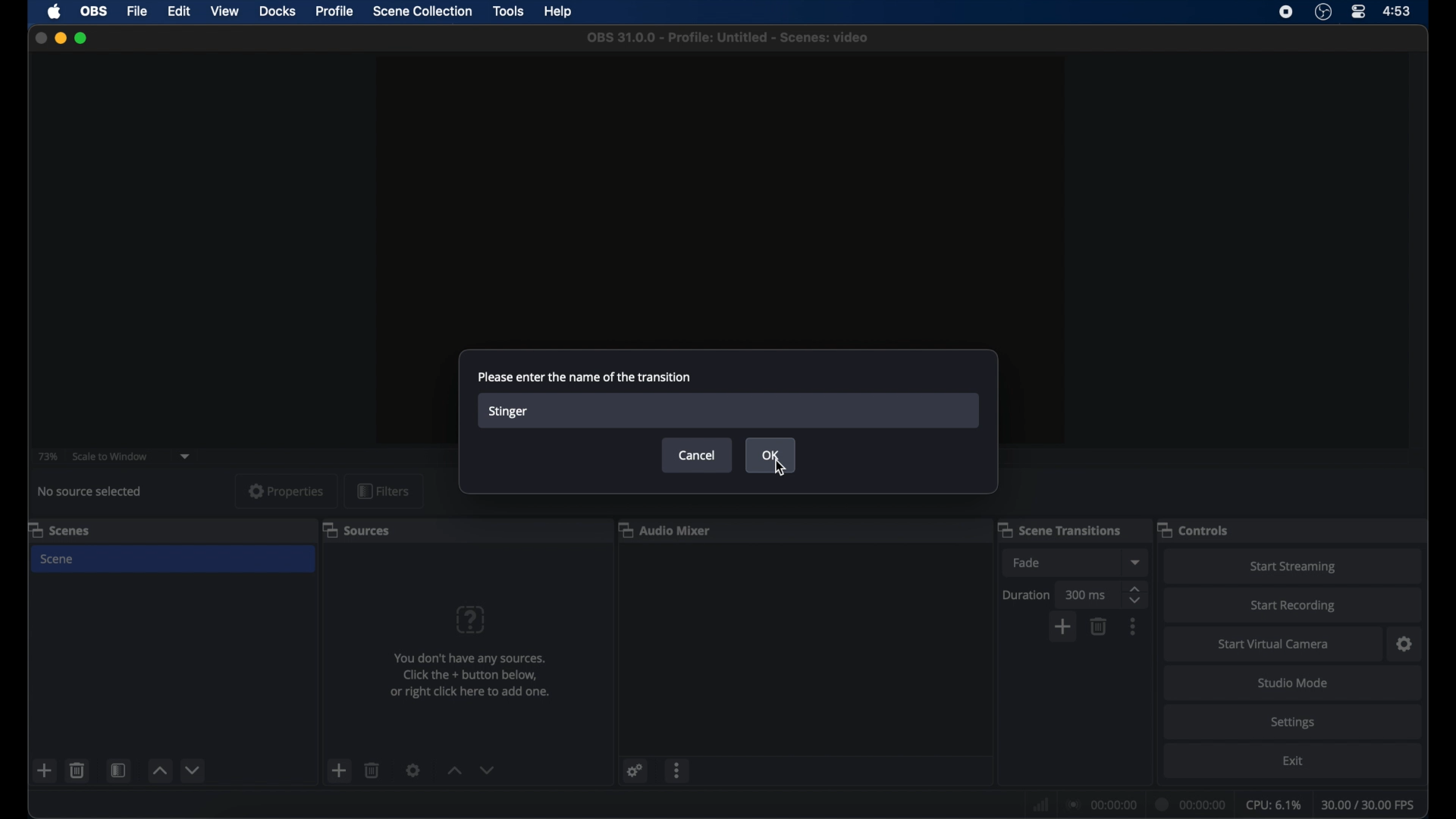  What do you see at coordinates (1039, 803) in the screenshot?
I see `network` at bounding box center [1039, 803].